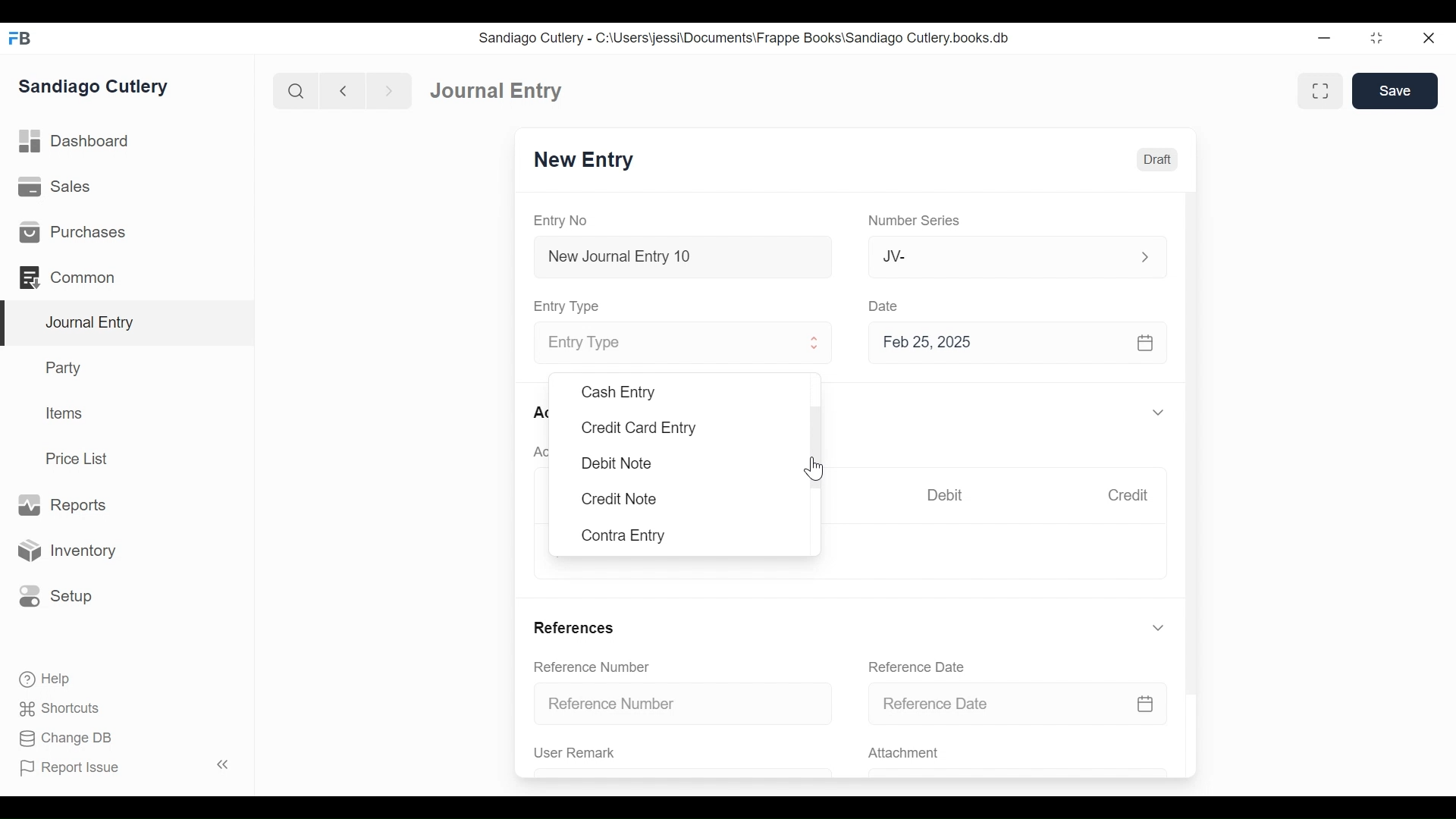 This screenshot has width=1456, height=819. What do you see at coordinates (1395, 91) in the screenshot?
I see `Save` at bounding box center [1395, 91].